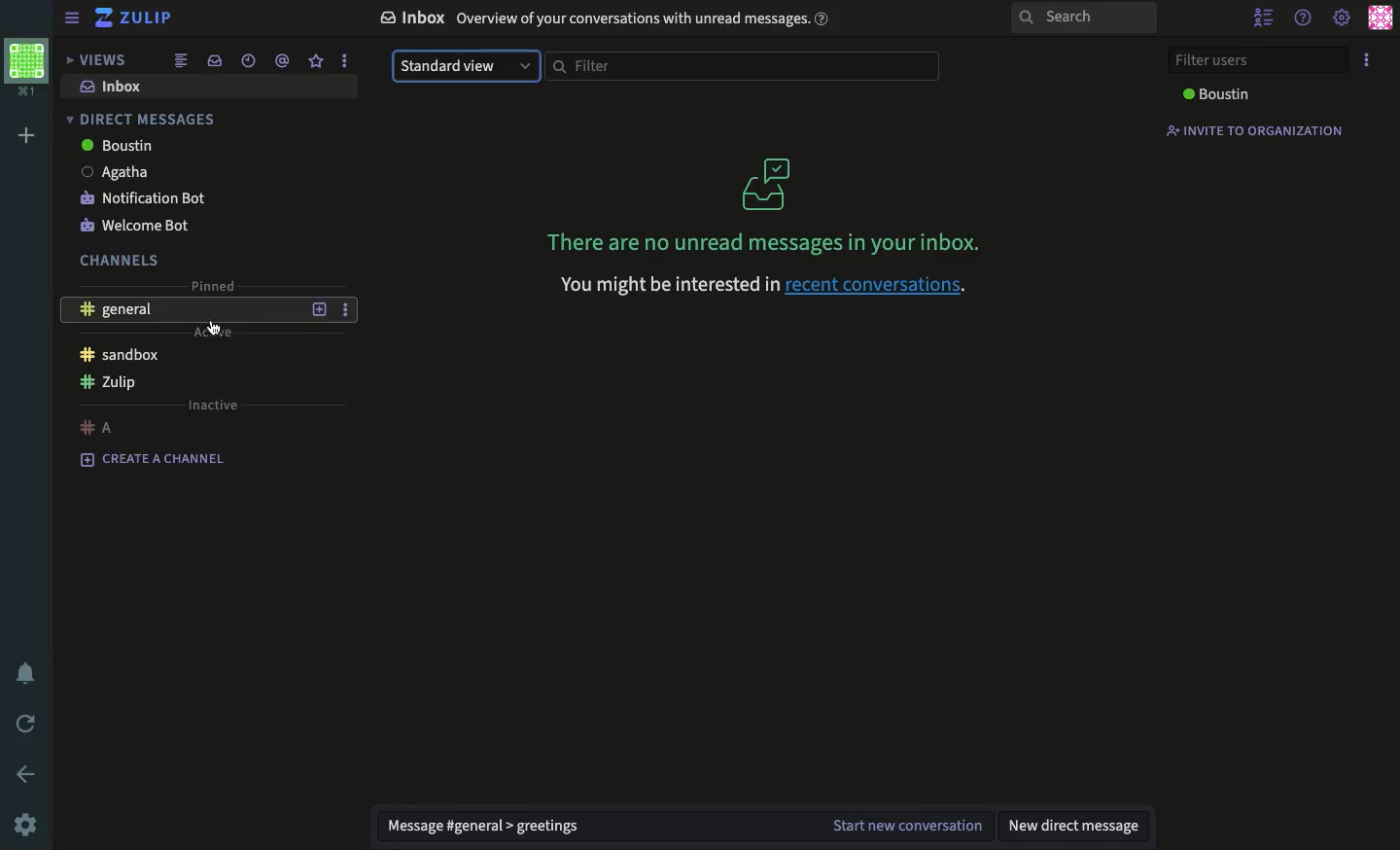 The height and width of the screenshot is (850, 1400). Describe the element at coordinates (249, 61) in the screenshot. I see `recent conversations` at that location.